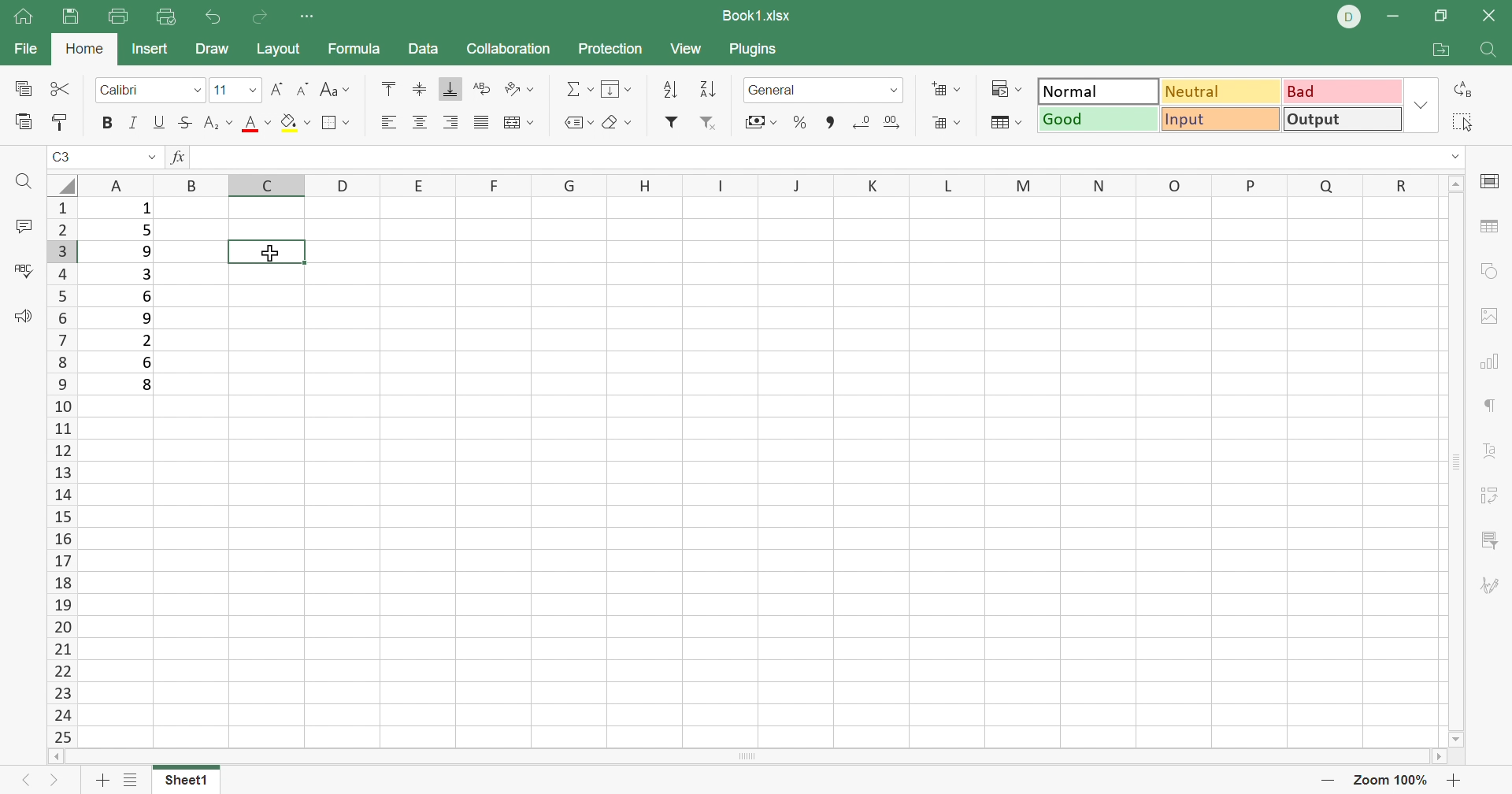  What do you see at coordinates (28, 269) in the screenshot?
I see `Spell checking` at bounding box center [28, 269].